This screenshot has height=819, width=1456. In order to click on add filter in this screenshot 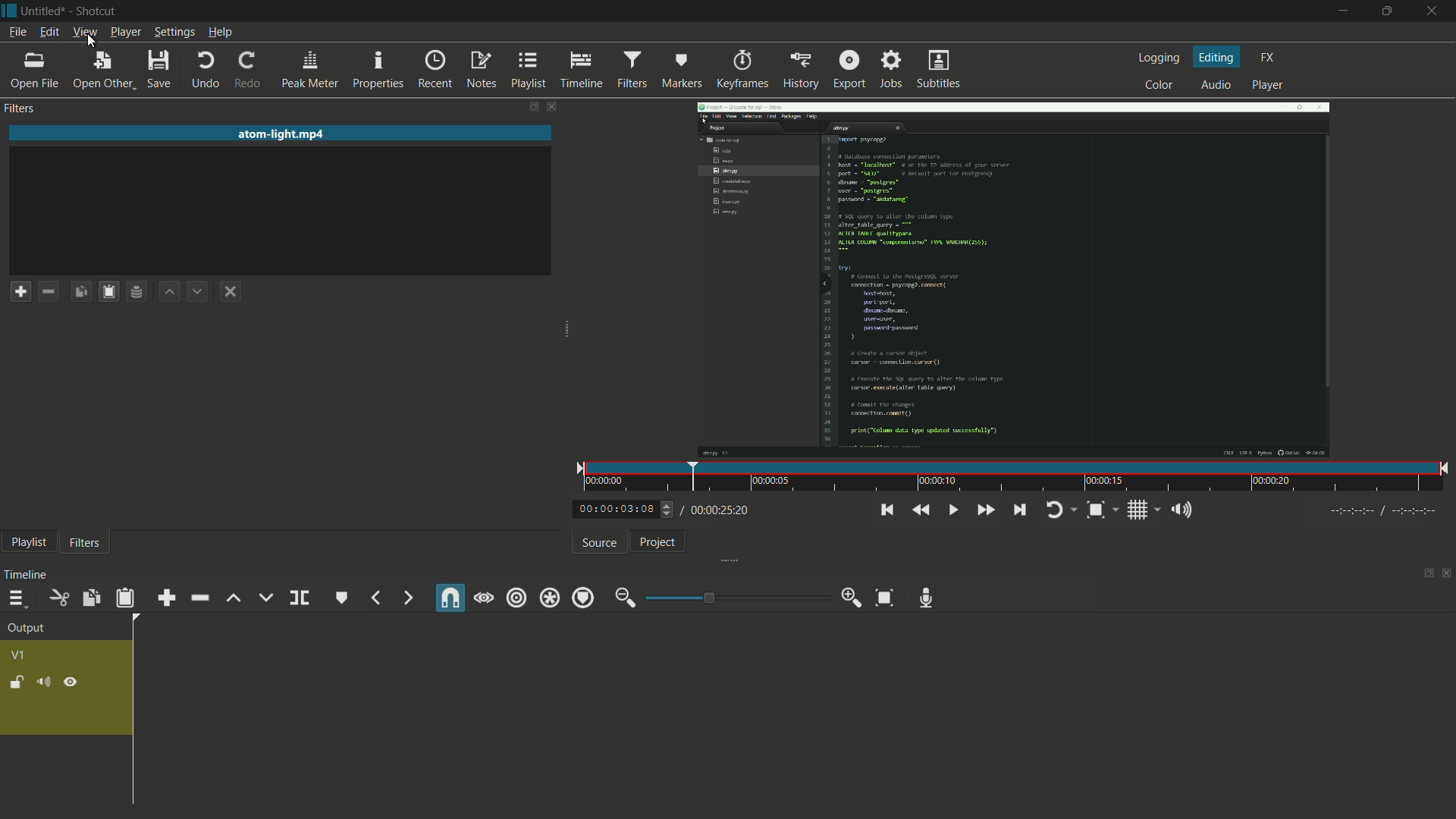, I will do `click(20, 293)`.